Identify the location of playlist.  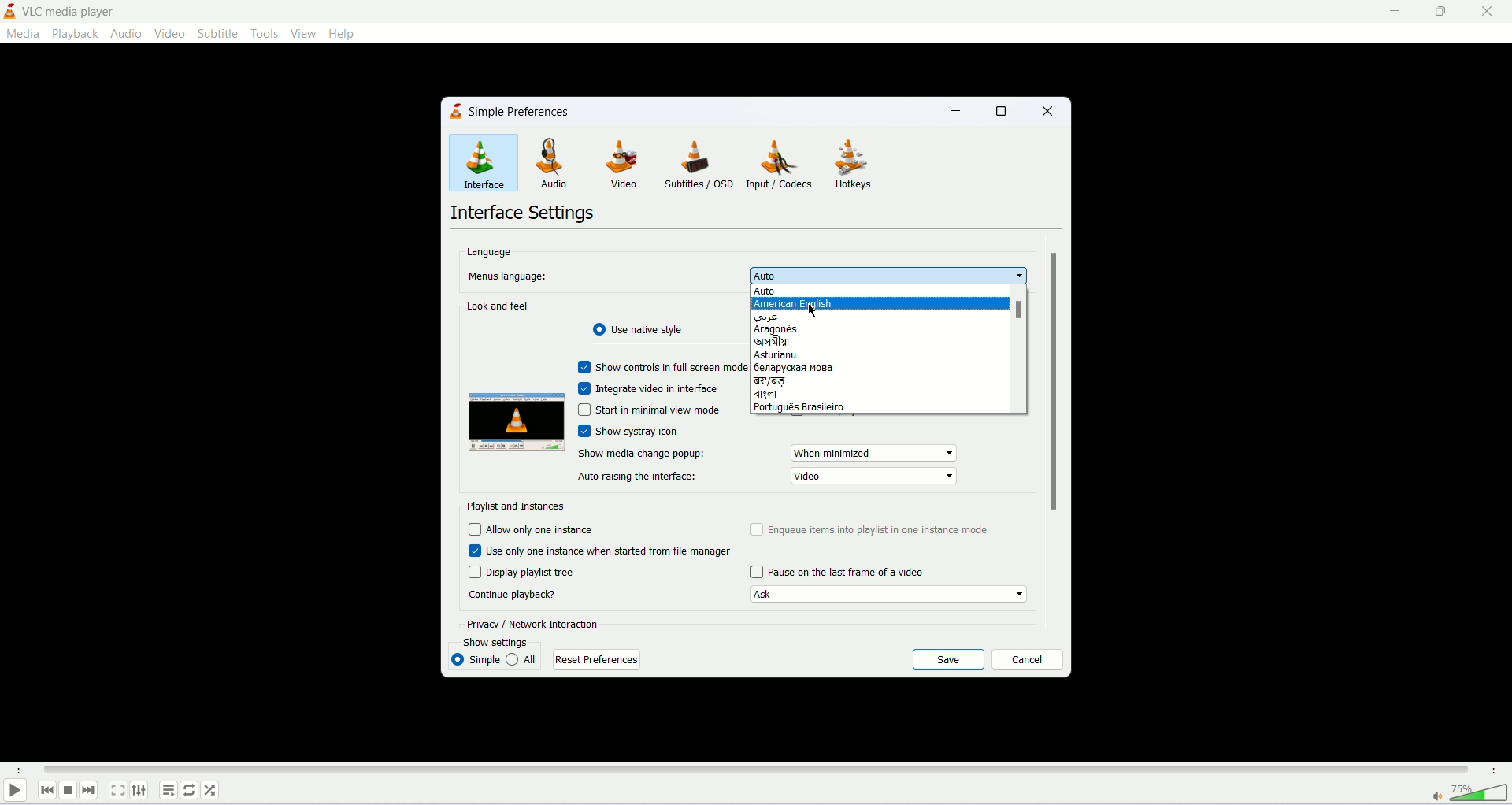
(168, 790).